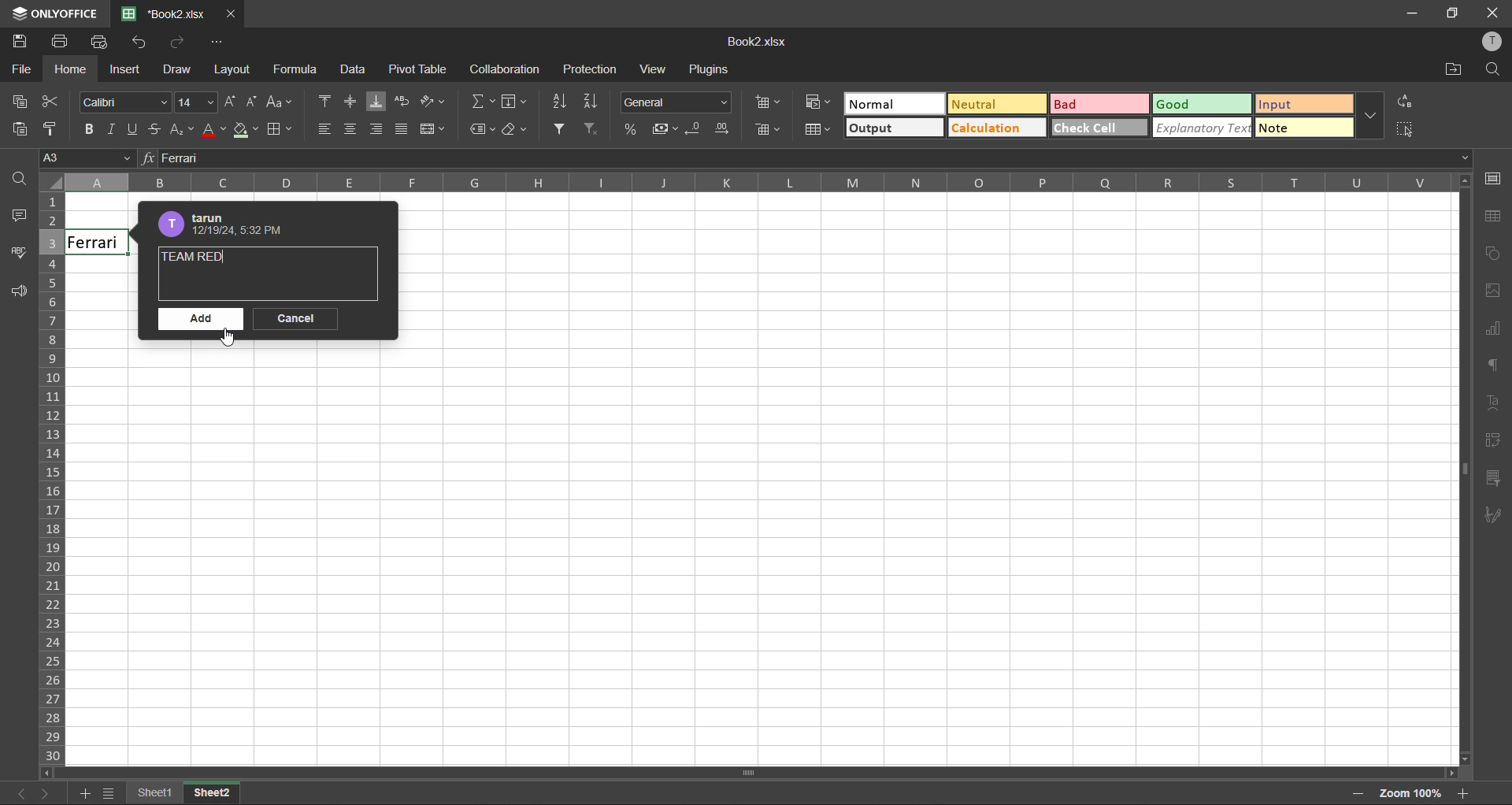 The width and height of the screenshot is (1512, 805). Describe the element at coordinates (891, 128) in the screenshot. I see `output` at that location.